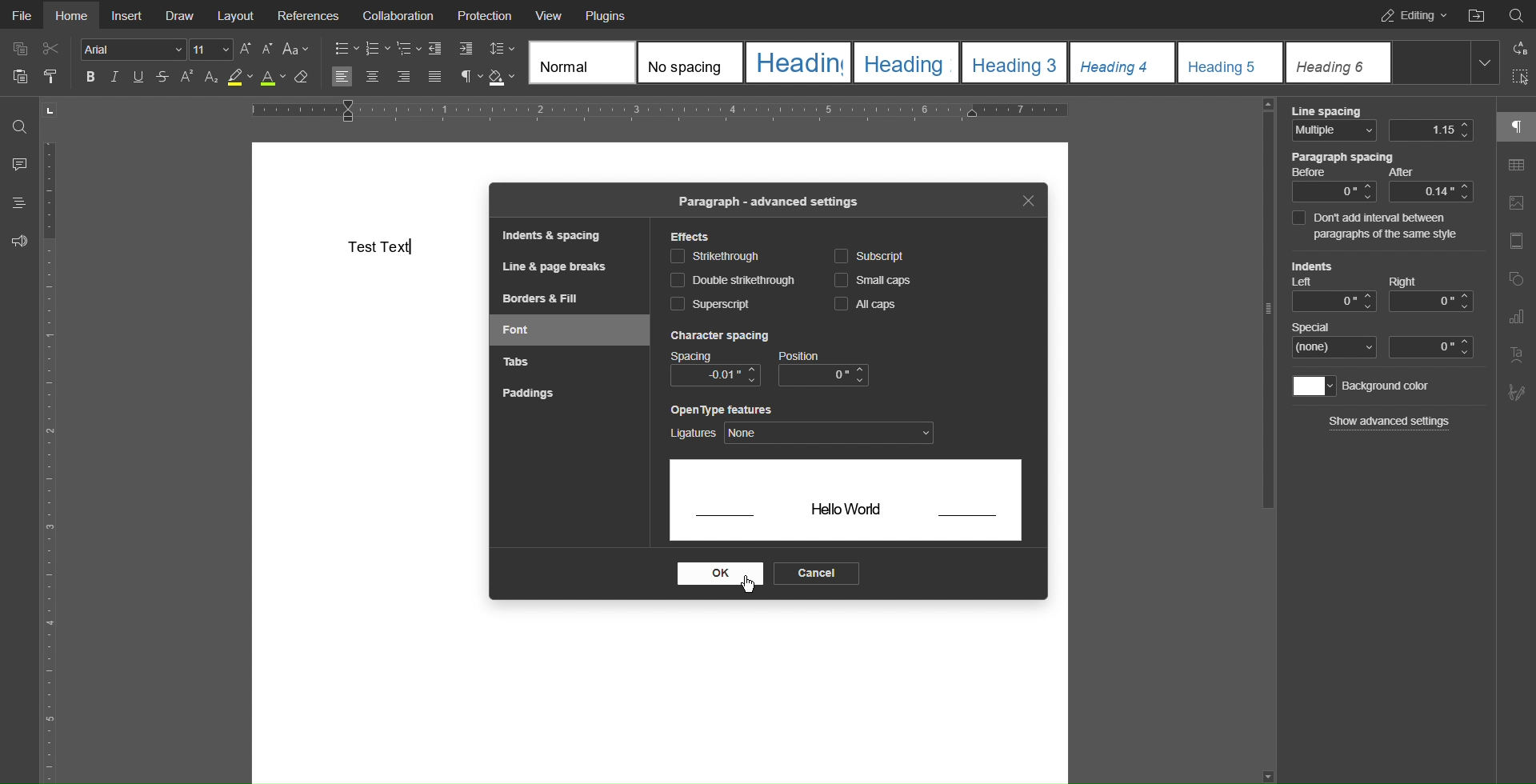 This screenshot has height=784, width=1536. Describe the element at coordinates (518, 330) in the screenshot. I see `Font` at that location.